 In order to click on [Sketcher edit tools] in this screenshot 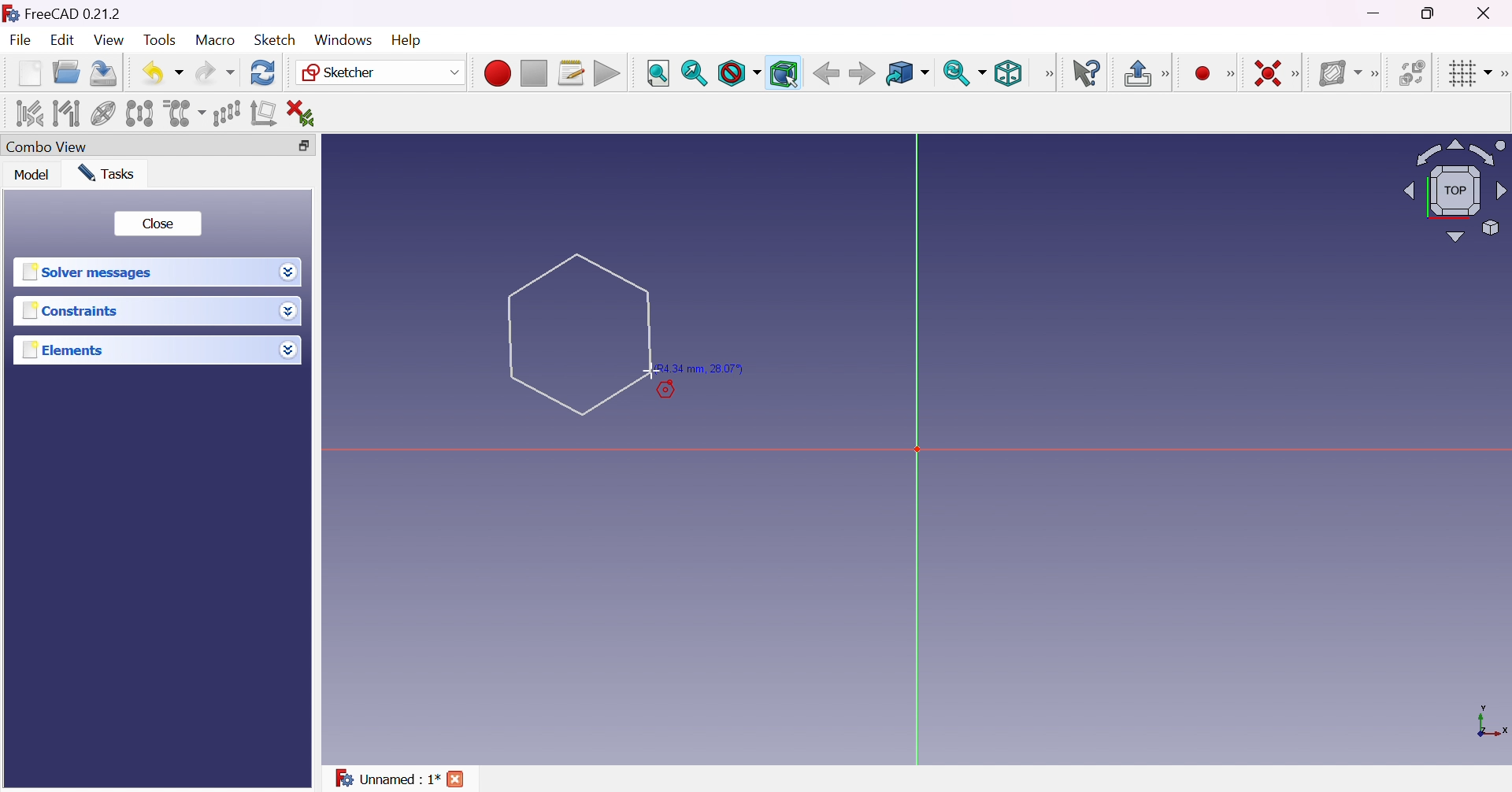, I will do `click(1503, 74)`.